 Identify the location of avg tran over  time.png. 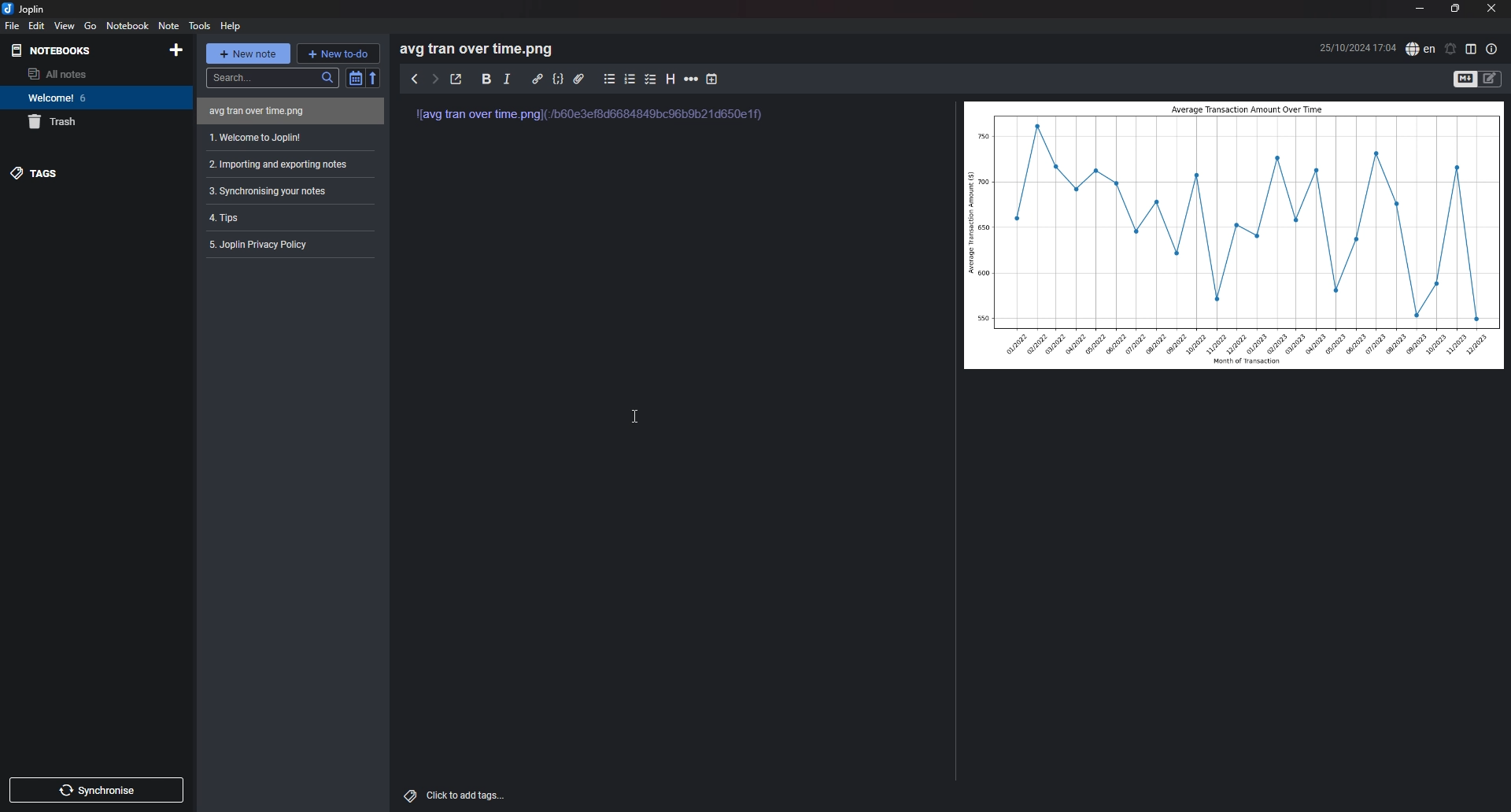
(484, 49).